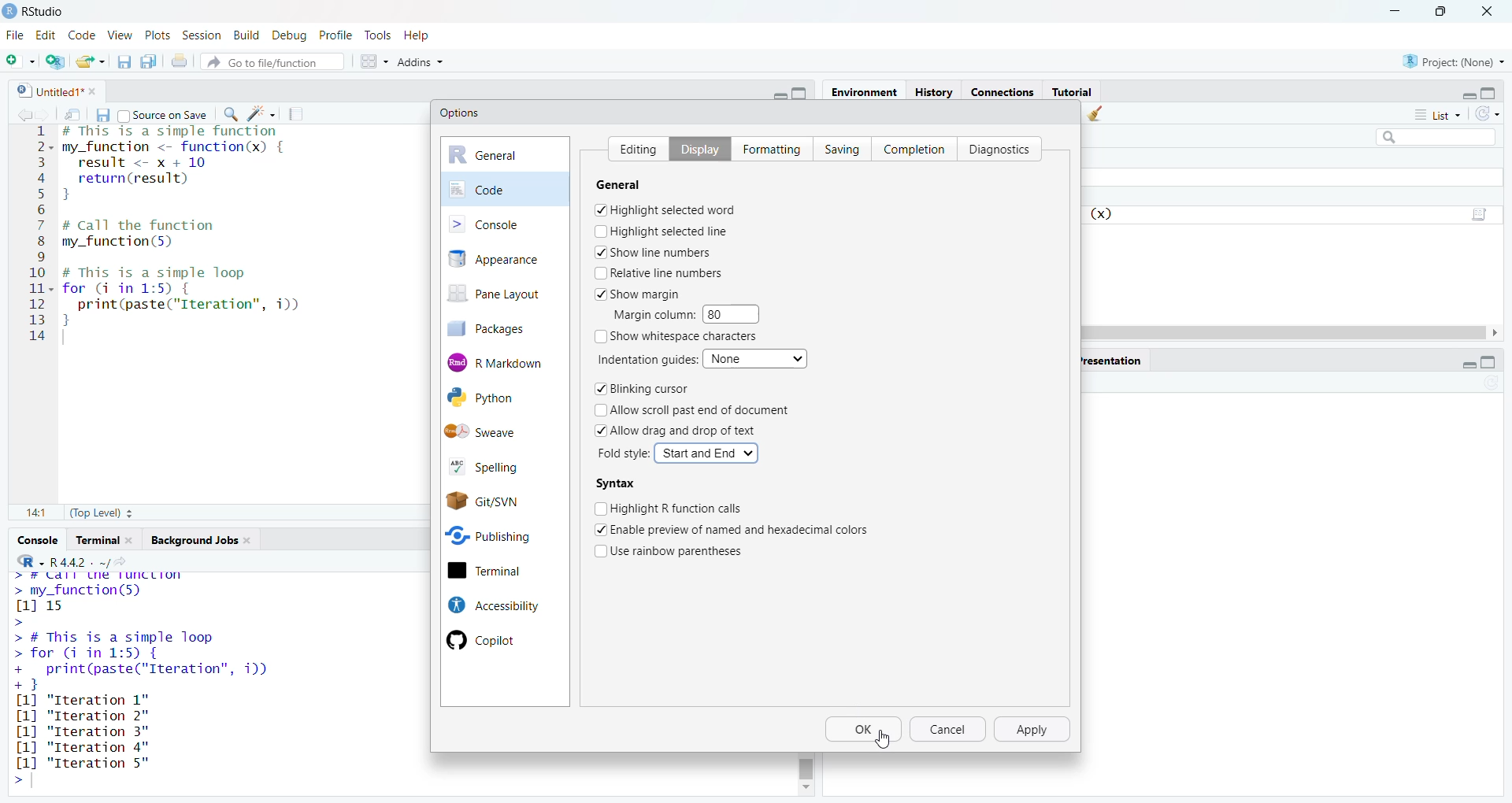 The width and height of the screenshot is (1512, 803). What do you see at coordinates (679, 337) in the screenshot?
I see `show whitespace characters` at bounding box center [679, 337].